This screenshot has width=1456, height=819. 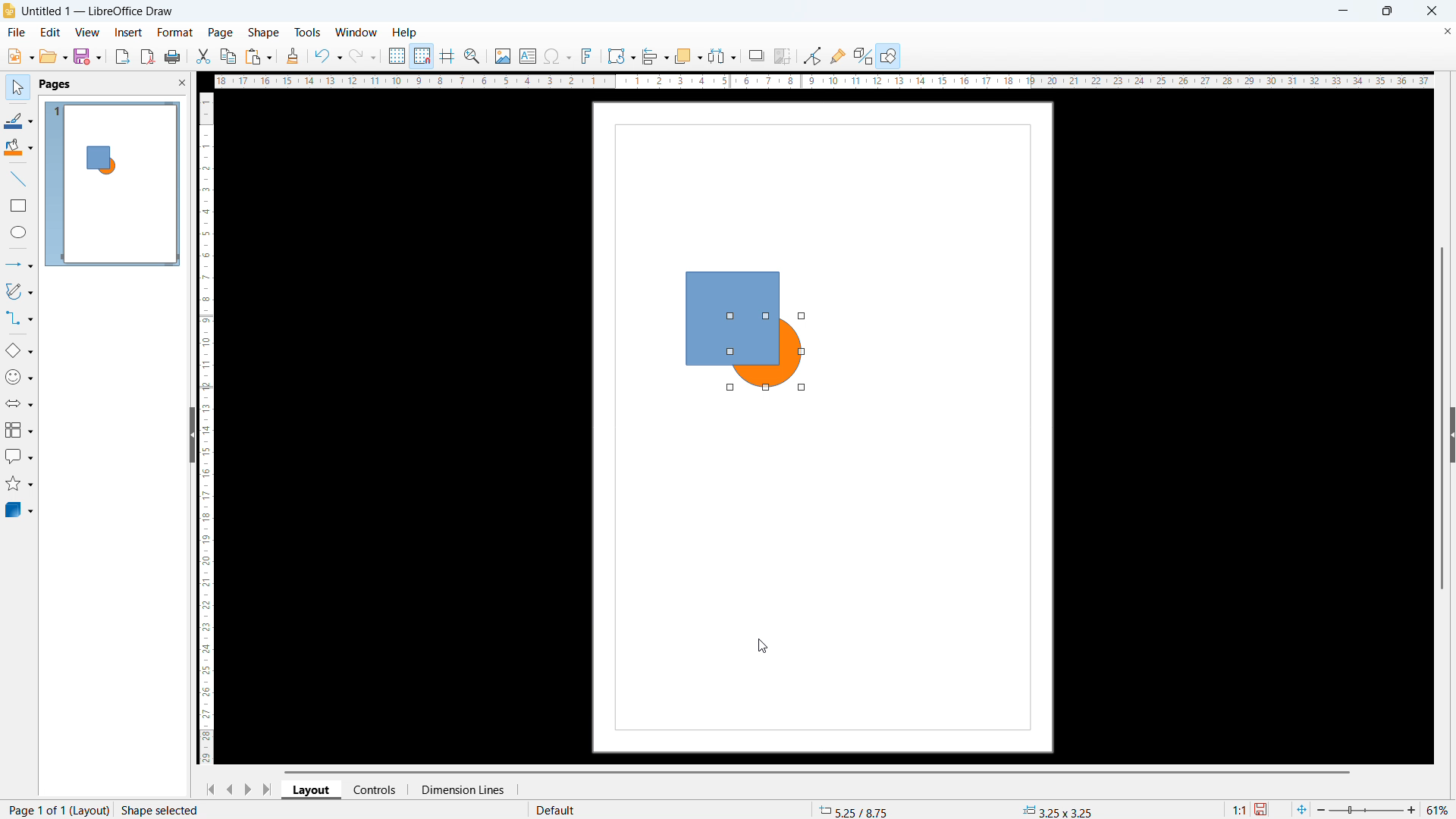 What do you see at coordinates (473, 56) in the screenshot?
I see `zoom` at bounding box center [473, 56].